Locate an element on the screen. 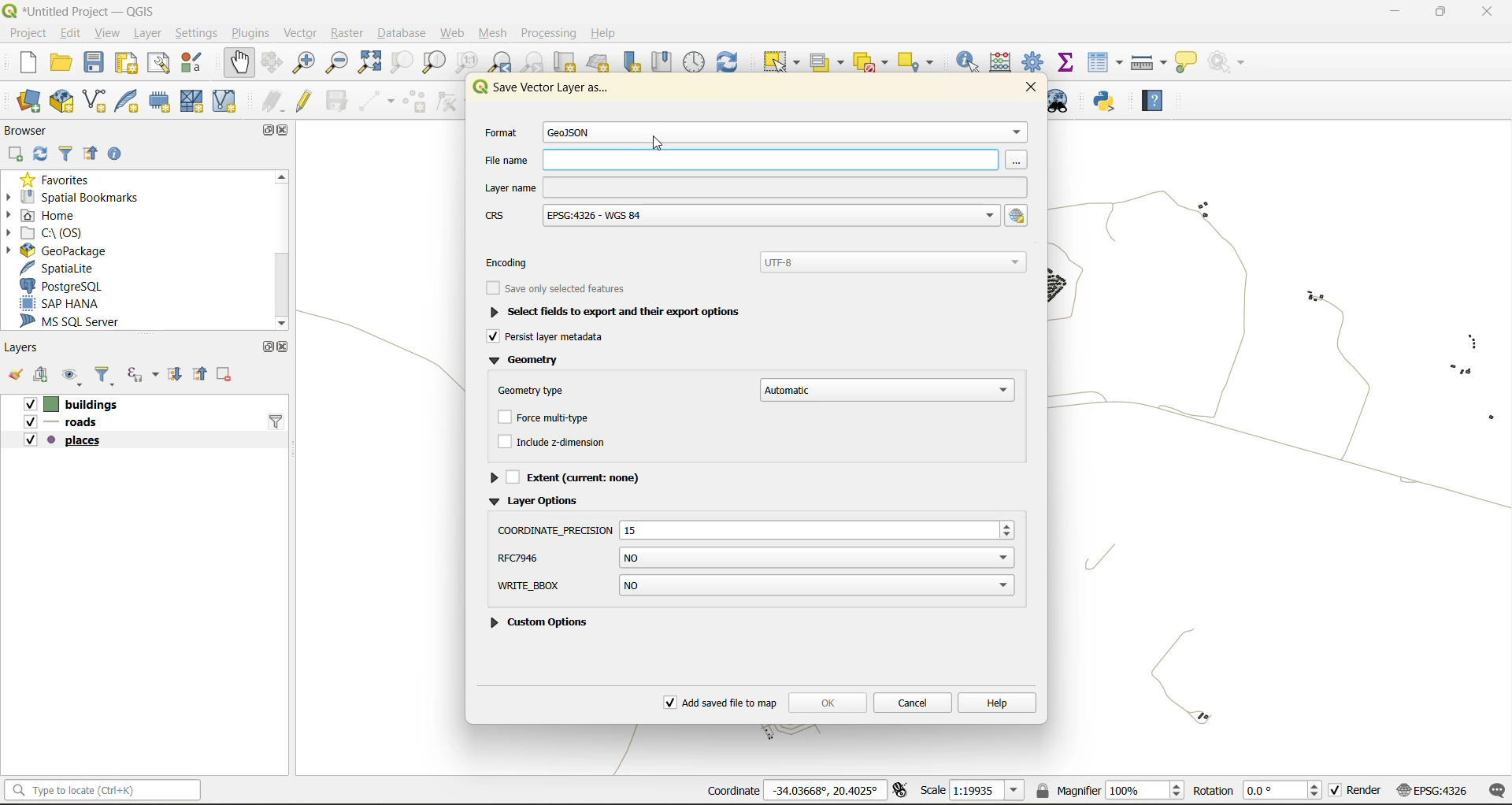 The width and height of the screenshot is (1512, 805). statistical summary is located at coordinates (1071, 63).